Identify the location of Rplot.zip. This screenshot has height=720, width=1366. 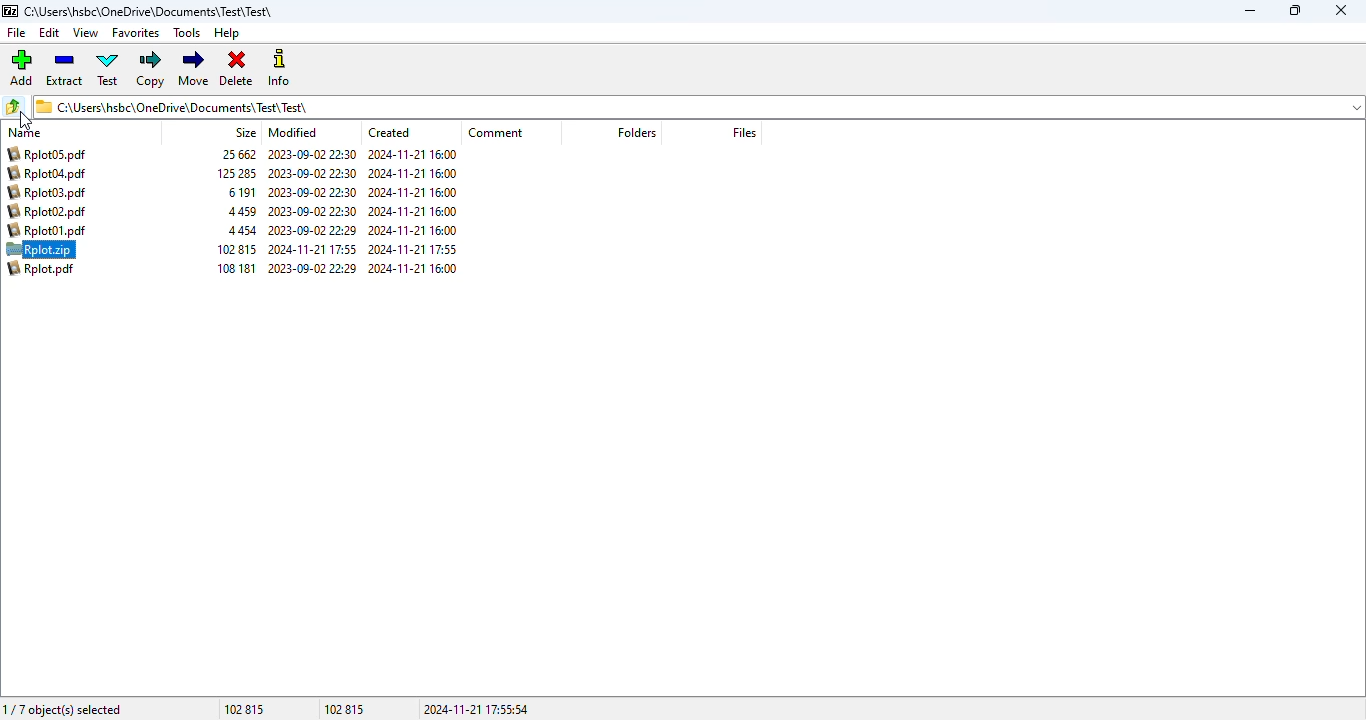
(41, 250).